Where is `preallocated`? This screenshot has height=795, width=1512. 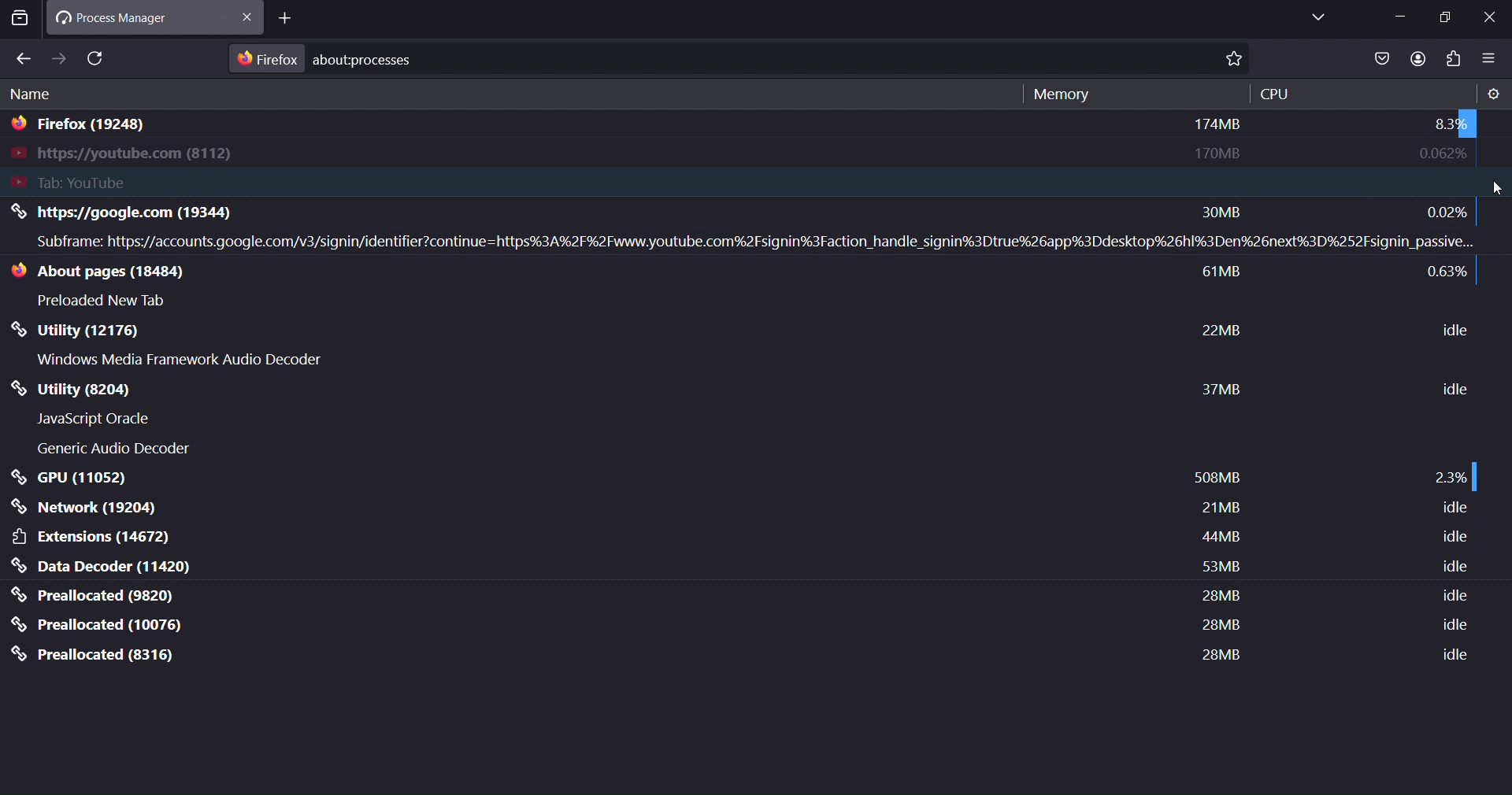
preallocated is located at coordinates (101, 625).